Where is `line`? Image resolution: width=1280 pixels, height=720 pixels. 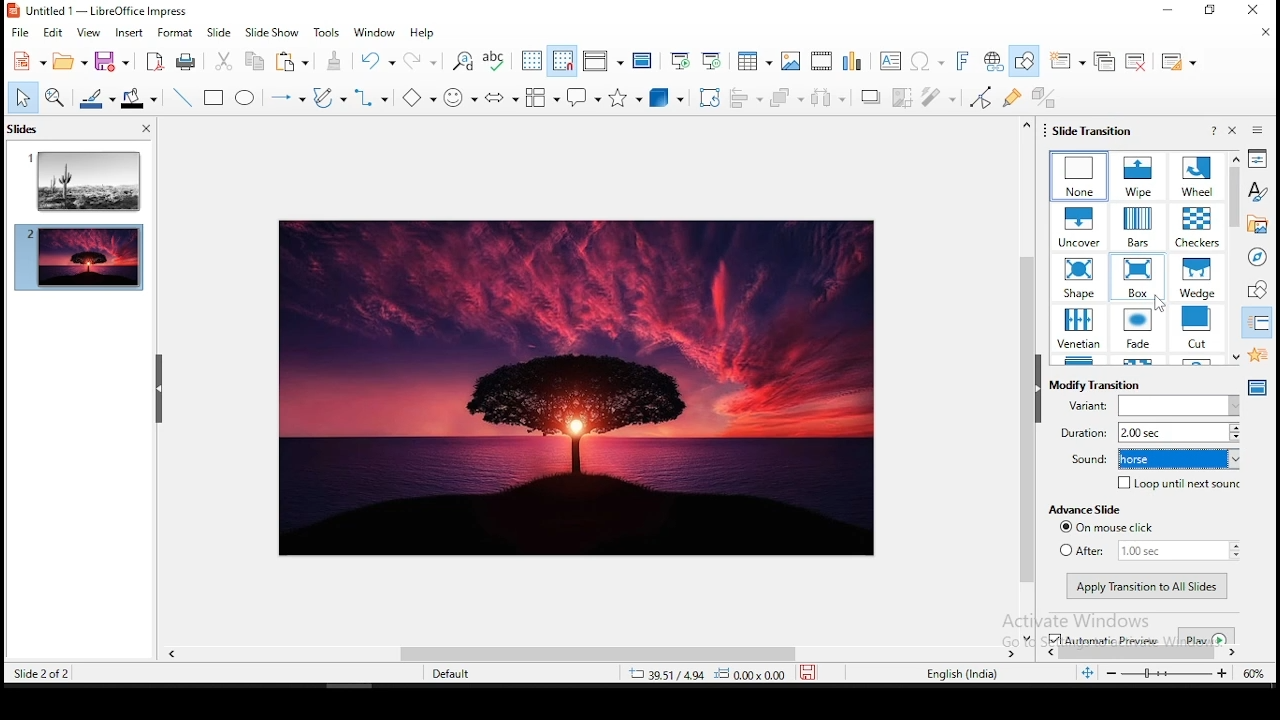 line is located at coordinates (180, 94).